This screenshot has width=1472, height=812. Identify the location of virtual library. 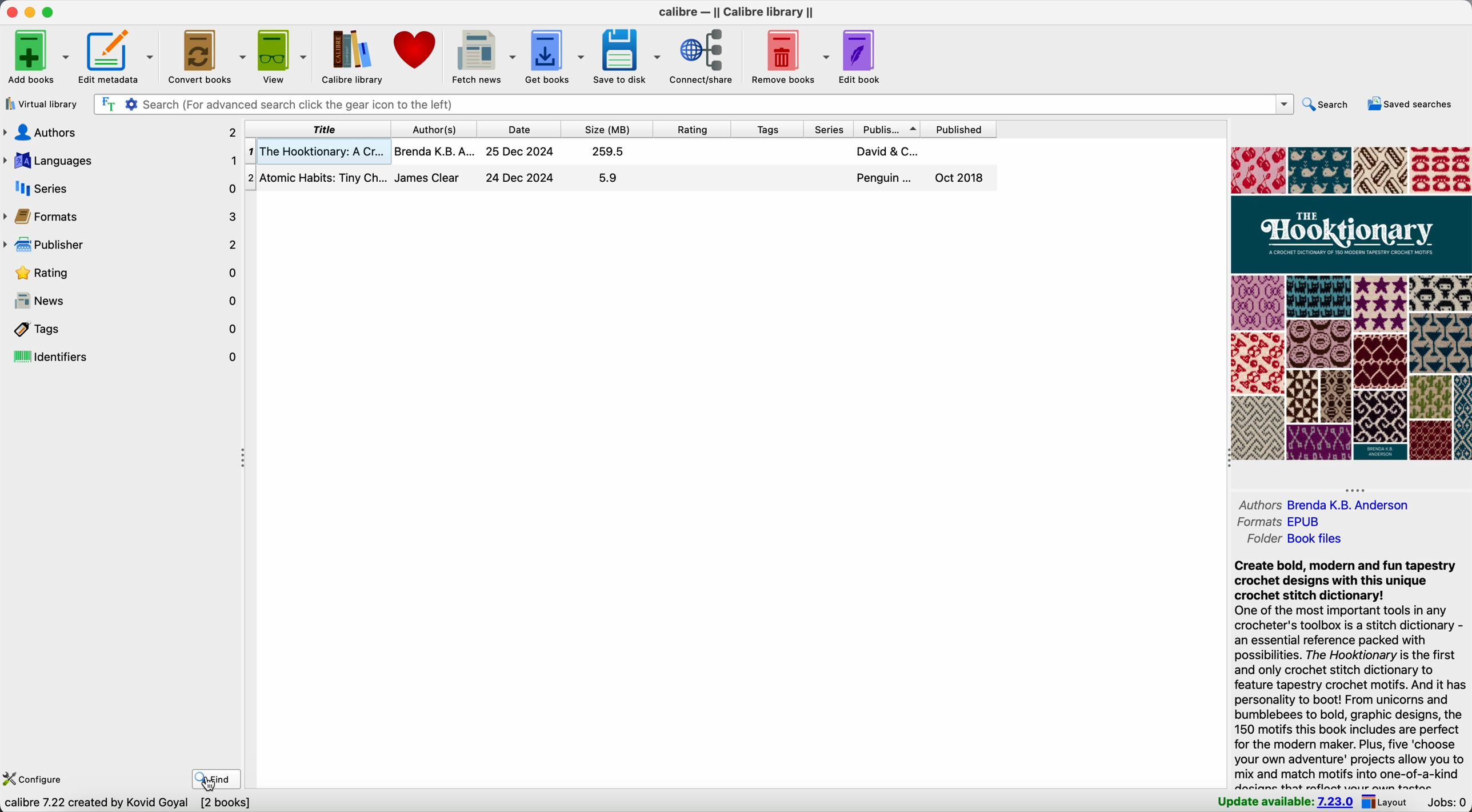
(42, 105).